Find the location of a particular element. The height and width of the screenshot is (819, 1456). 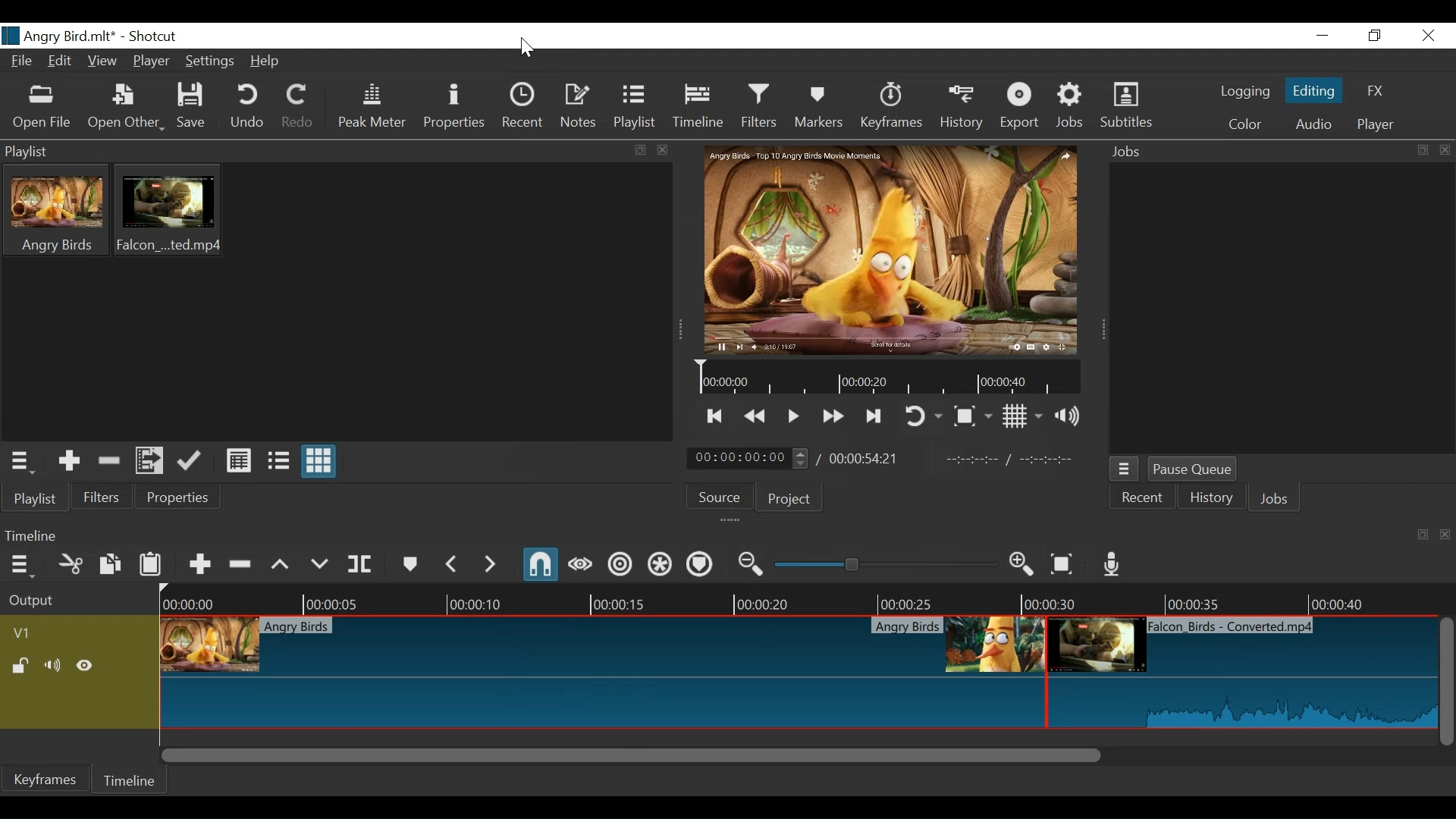

Clip is located at coordinates (891, 249).